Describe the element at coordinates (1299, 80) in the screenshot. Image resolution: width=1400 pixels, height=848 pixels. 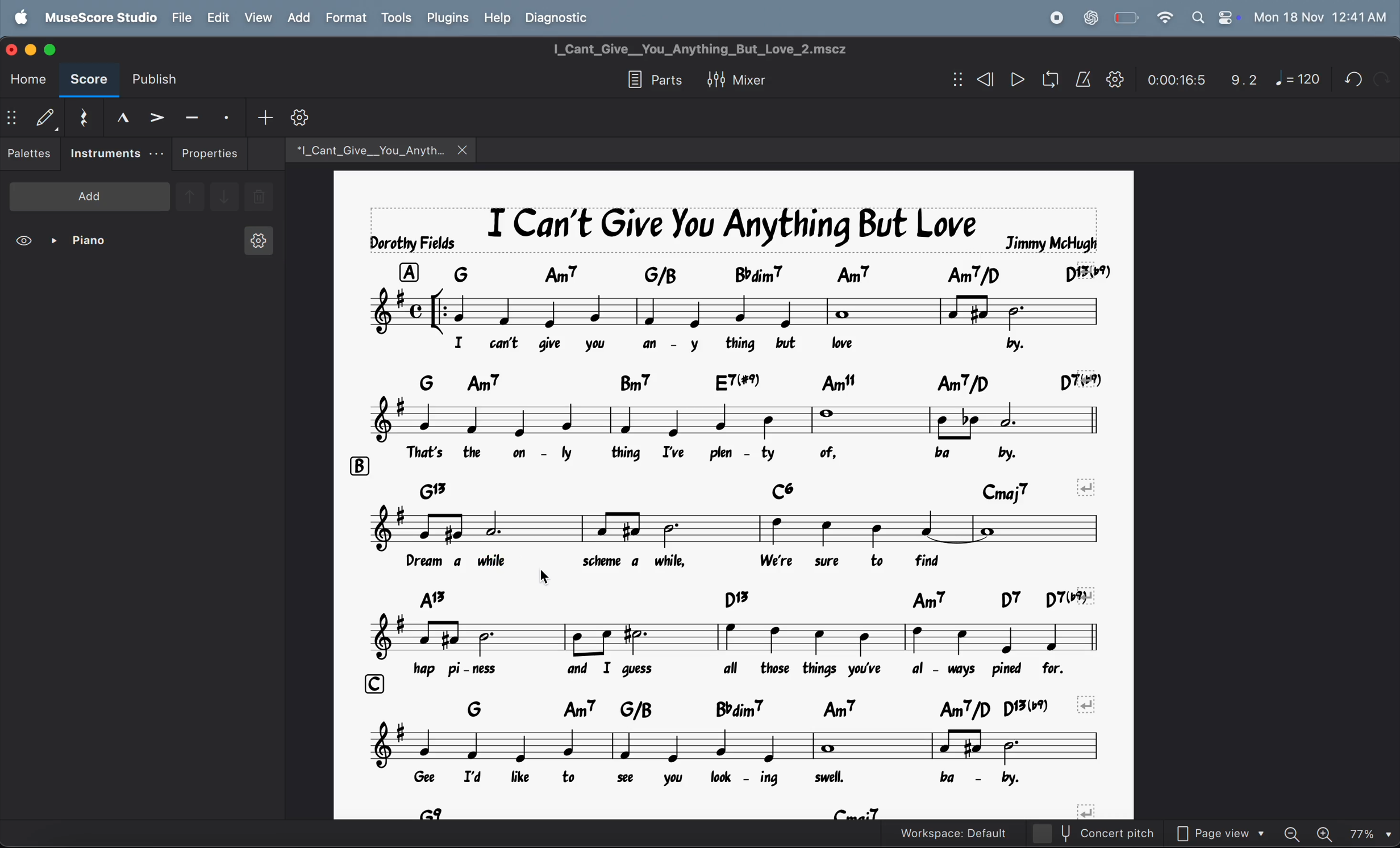
I see `note 120` at that location.